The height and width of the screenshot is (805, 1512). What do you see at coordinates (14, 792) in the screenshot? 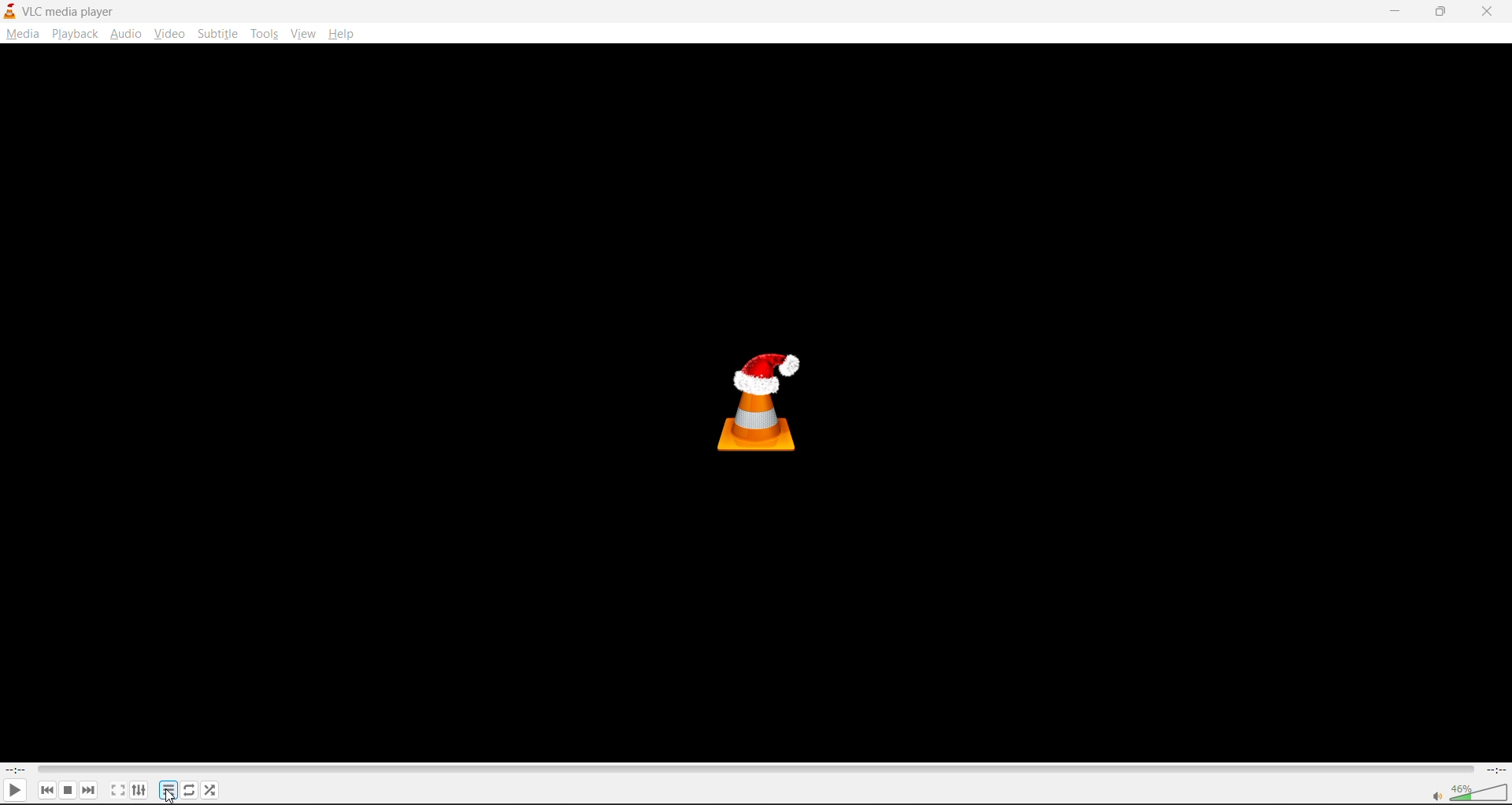
I see `play` at bounding box center [14, 792].